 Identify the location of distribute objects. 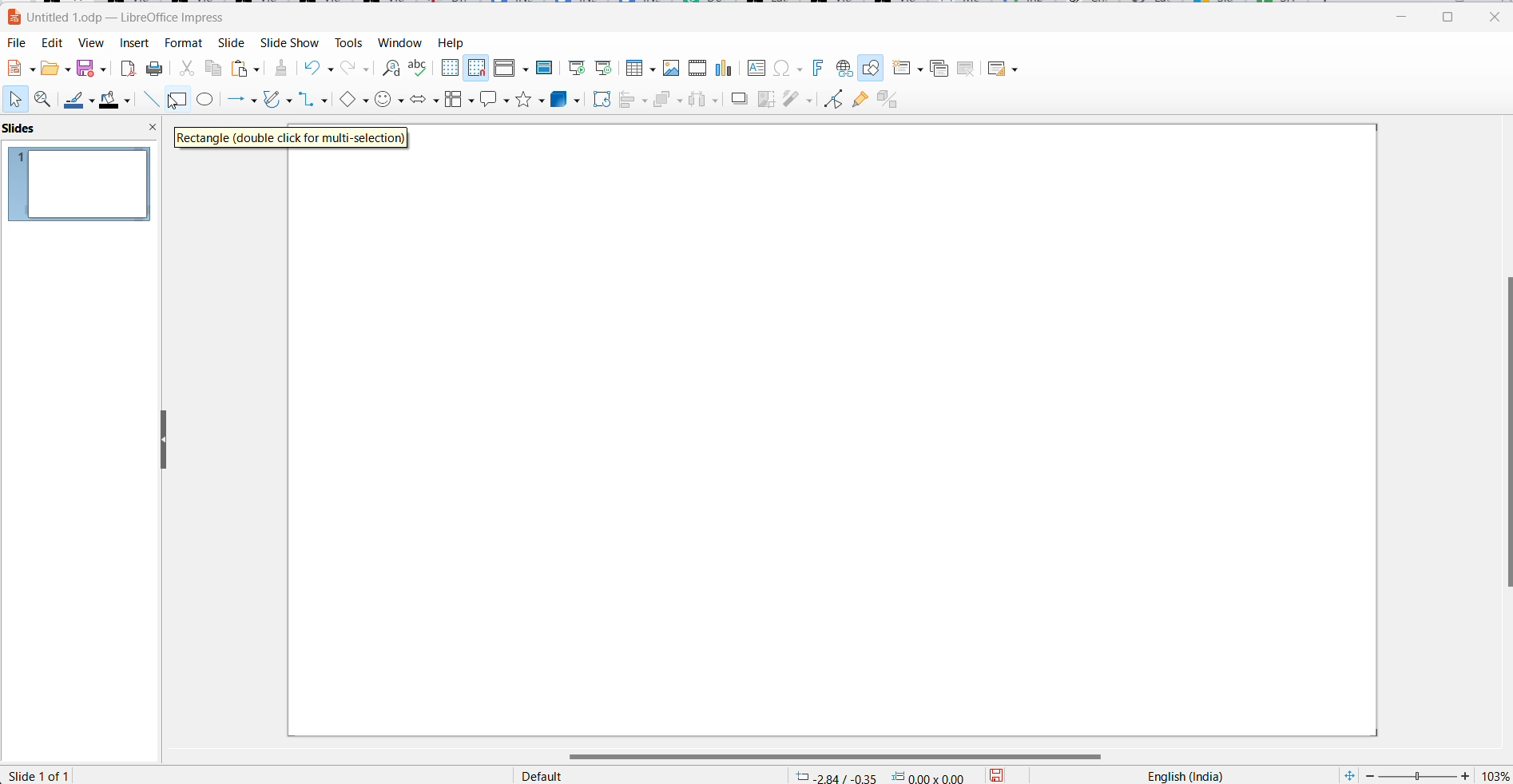
(704, 101).